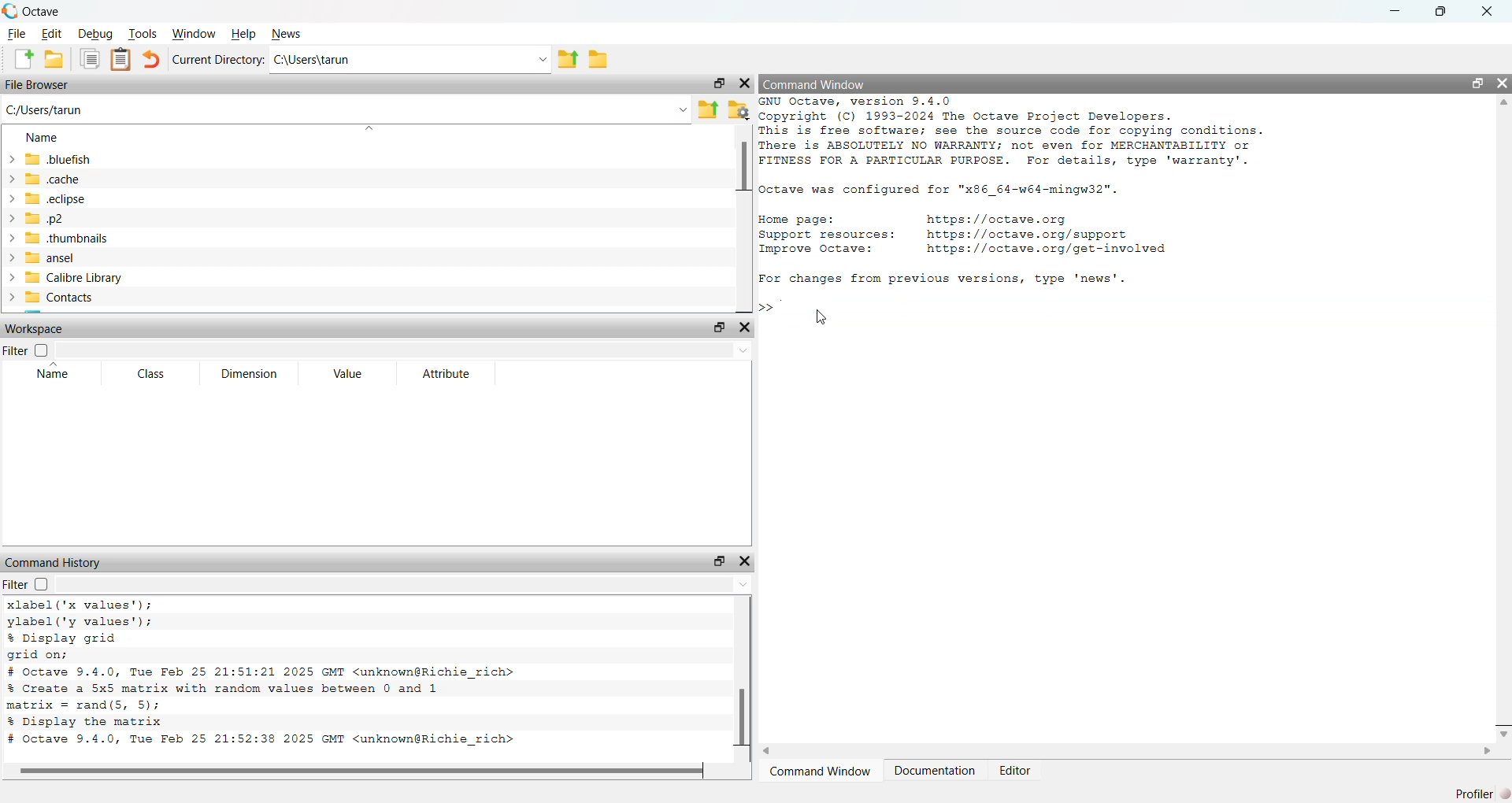 This screenshot has height=803, width=1512. Describe the element at coordinates (75, 276) in the screenshot. I see `Calibre Library` at that location.